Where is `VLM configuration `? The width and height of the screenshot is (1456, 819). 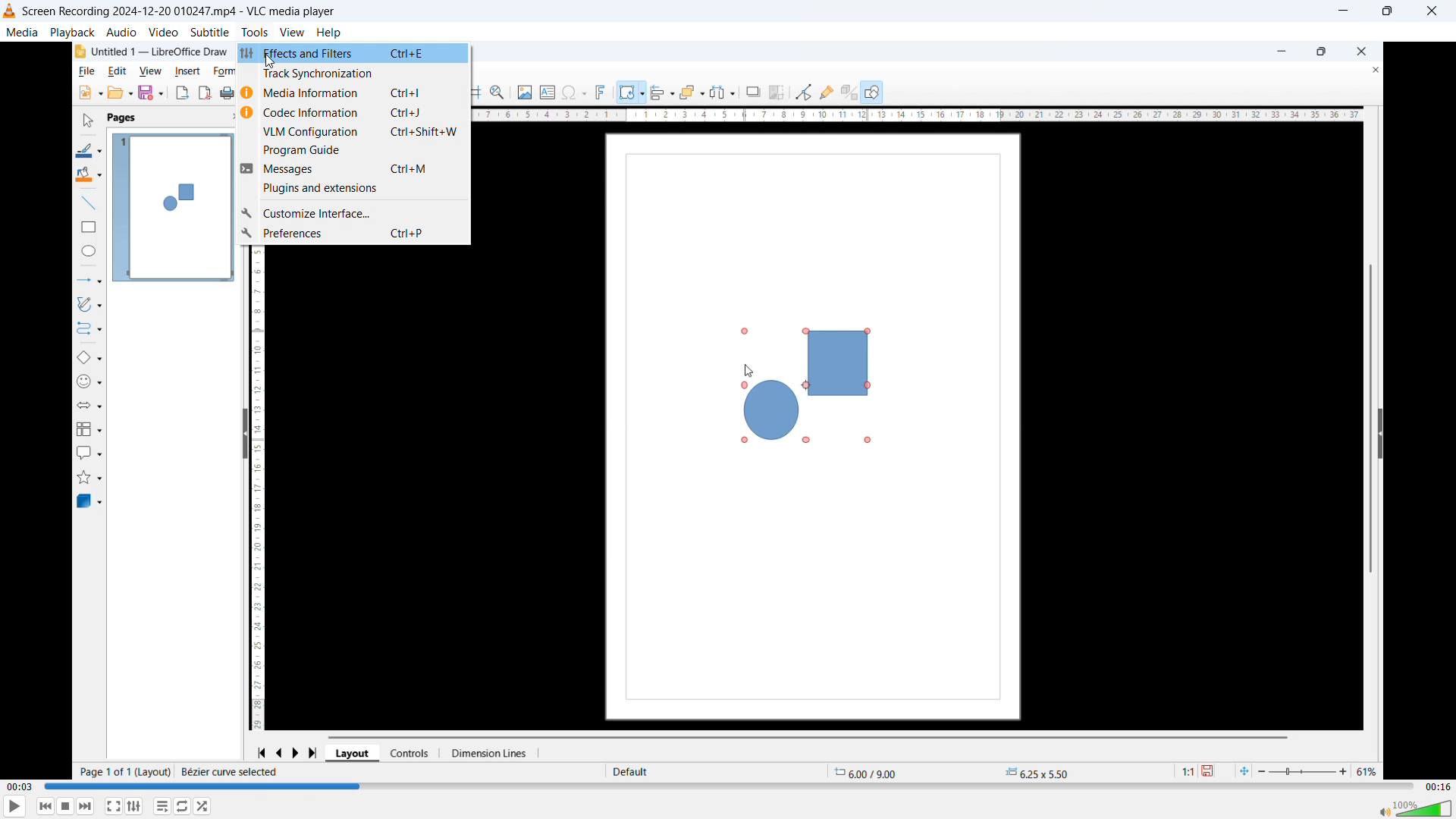 VLM configuration  is located at coordinates (353, 132).